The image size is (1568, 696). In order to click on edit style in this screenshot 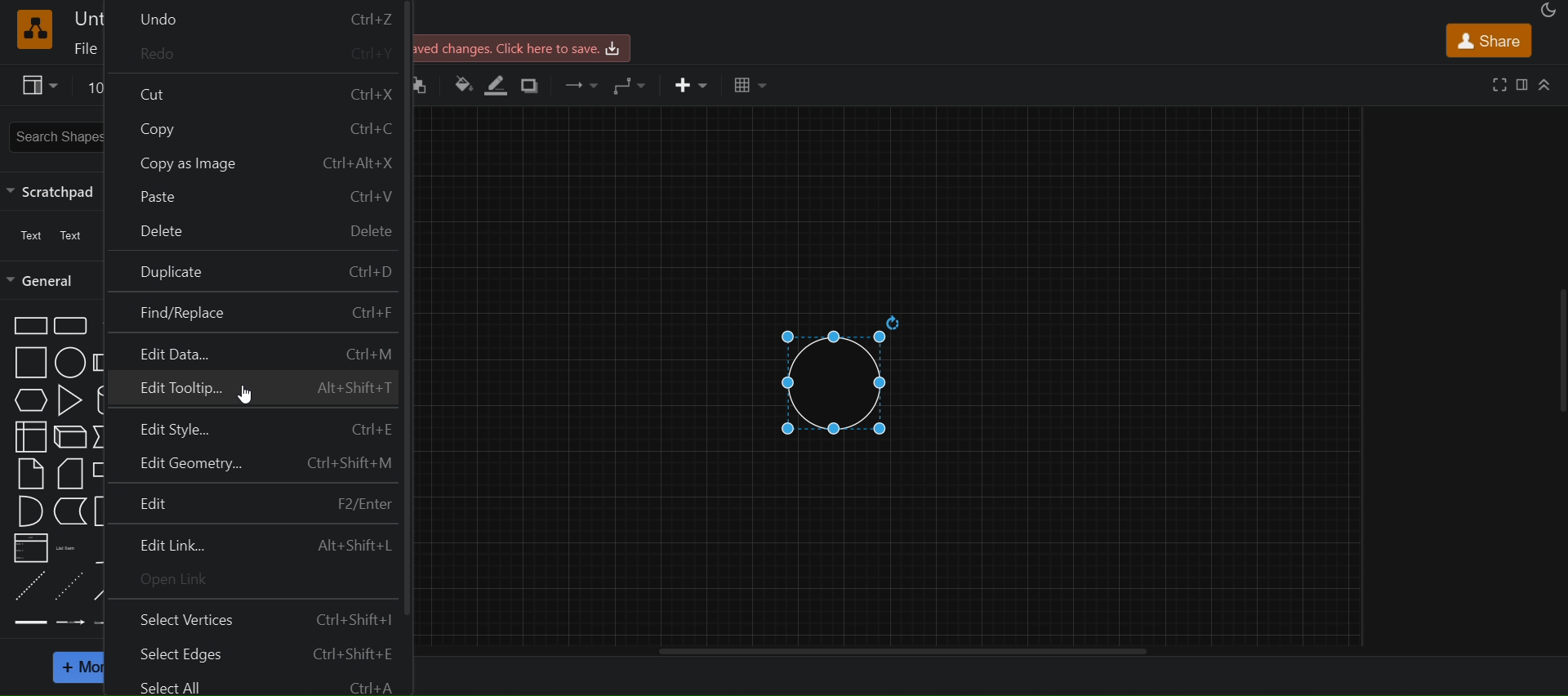, I will do `click(255, 426)`.